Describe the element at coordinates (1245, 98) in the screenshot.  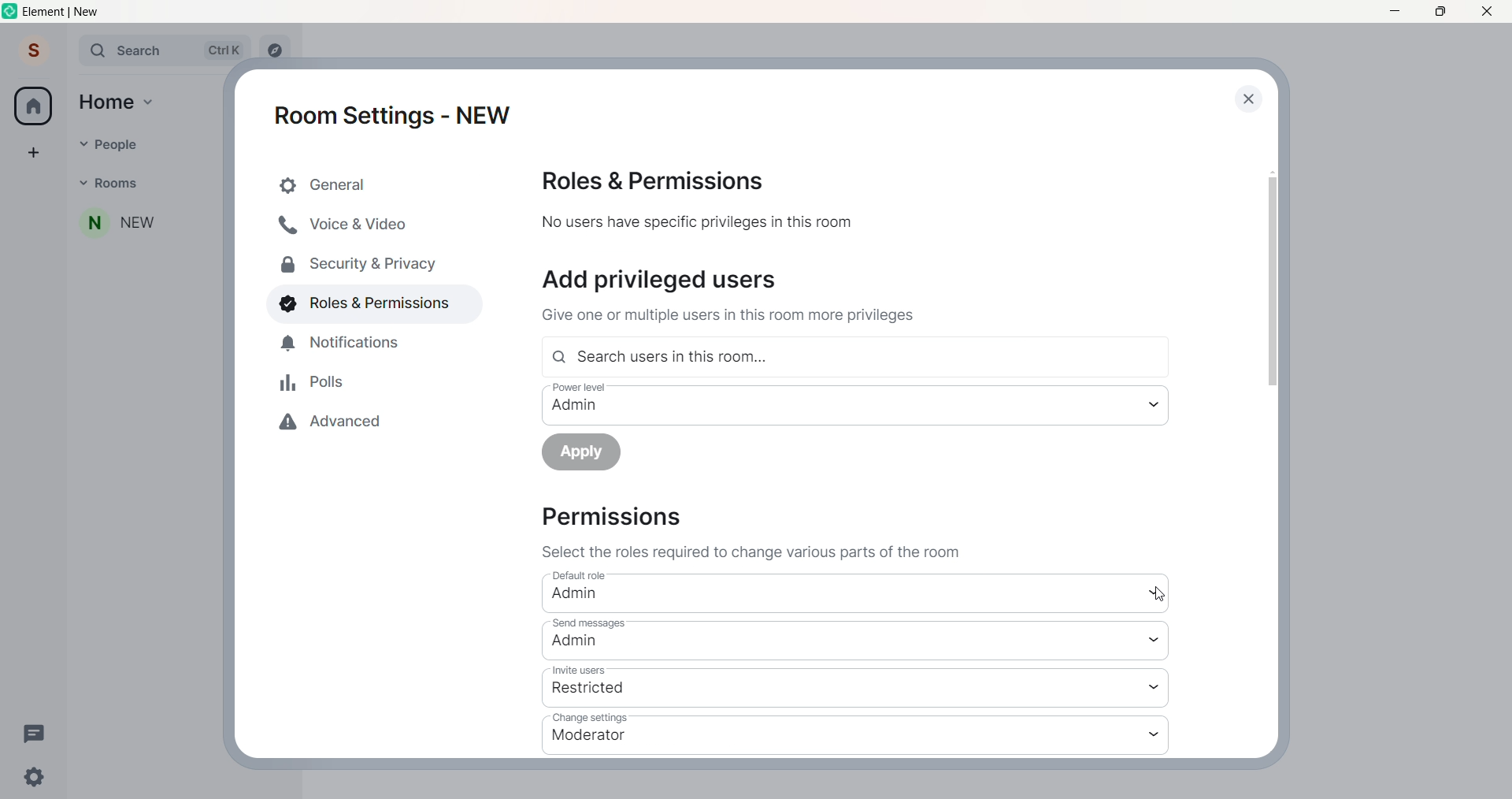
I see `close dialog` at that location.